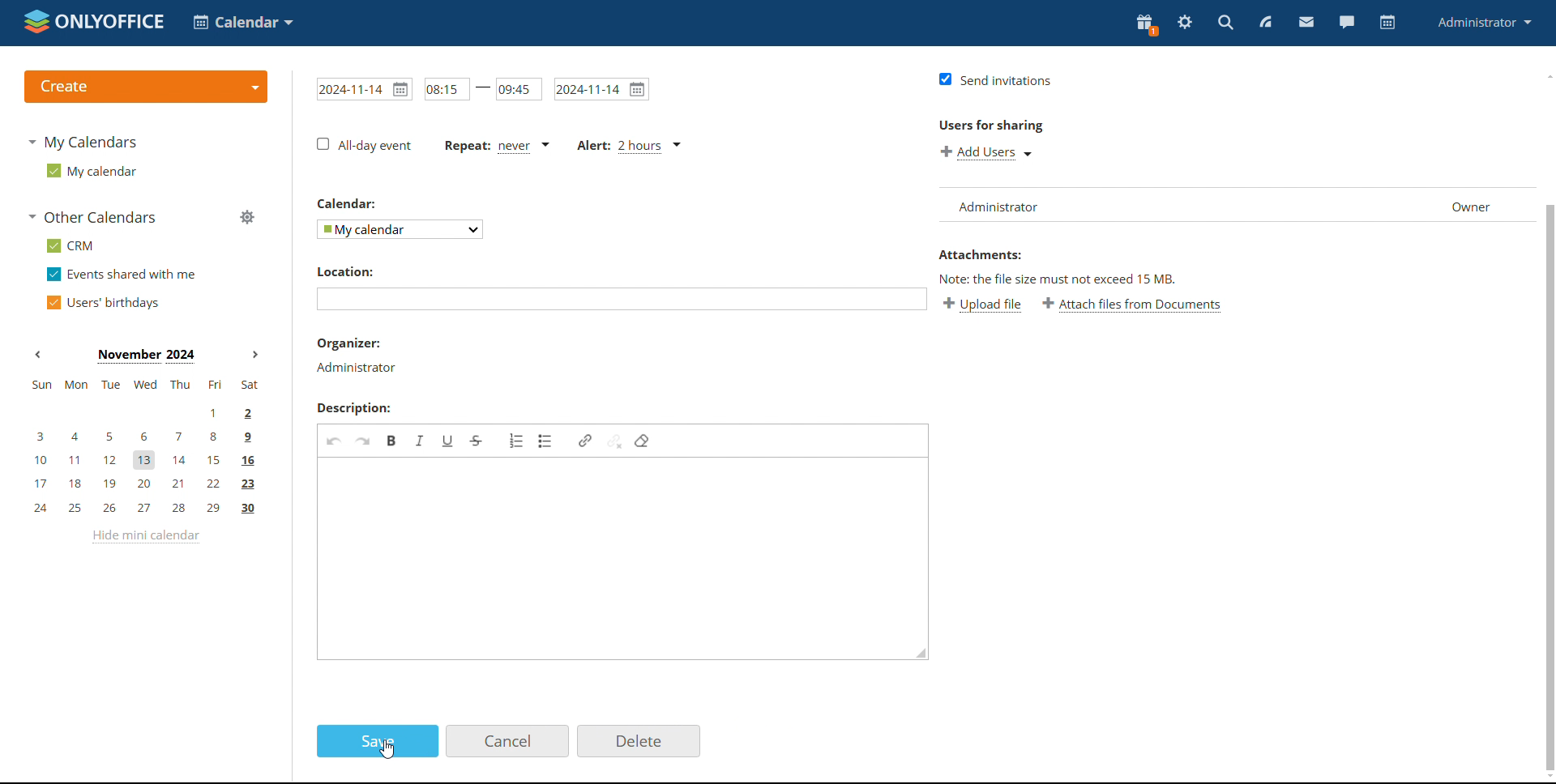  Describe the element at coordinates (986, 153) in the screenshot. I see `add users` at that location.